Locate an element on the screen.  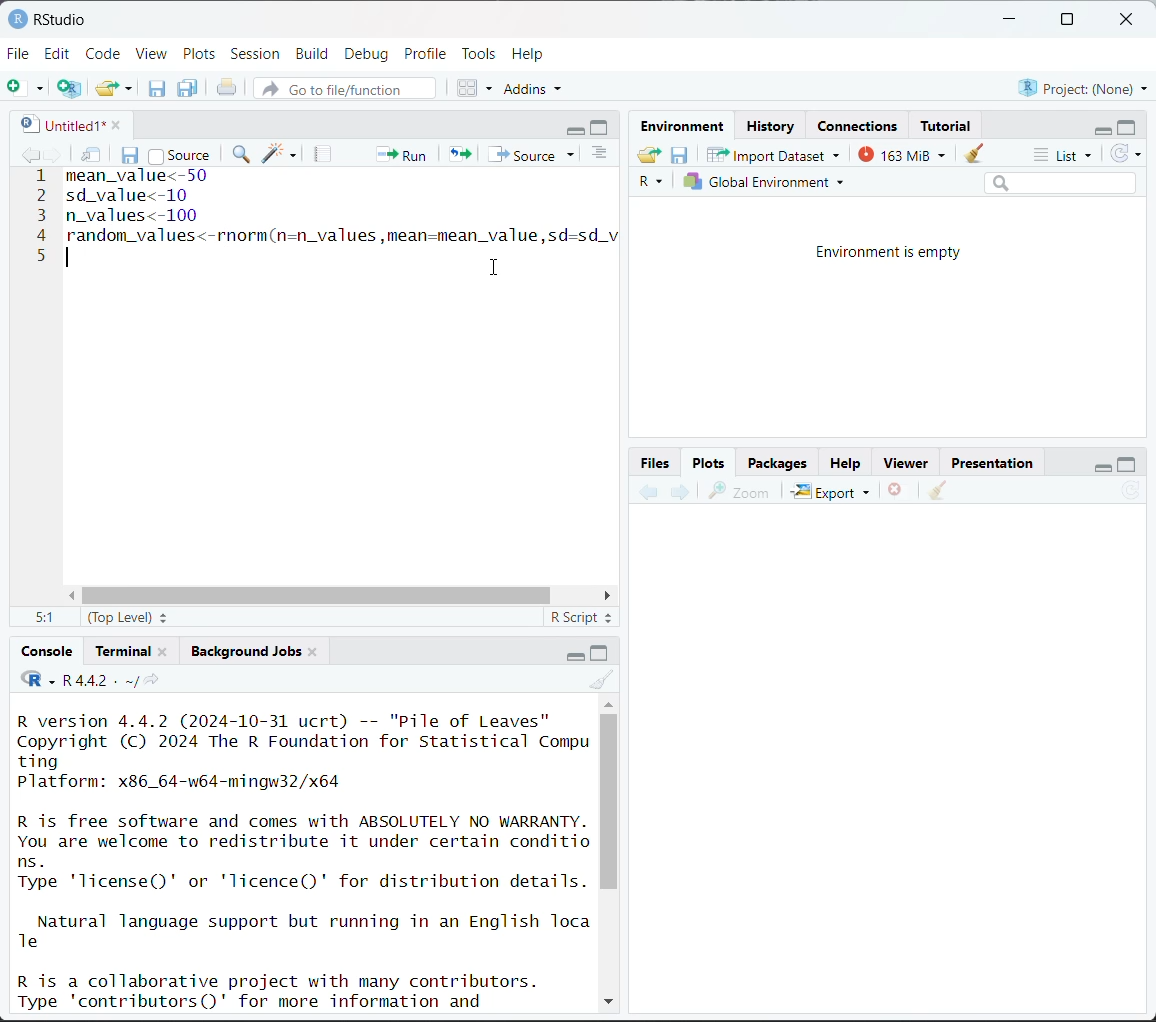
Plots is located at coordinates (709, 461).